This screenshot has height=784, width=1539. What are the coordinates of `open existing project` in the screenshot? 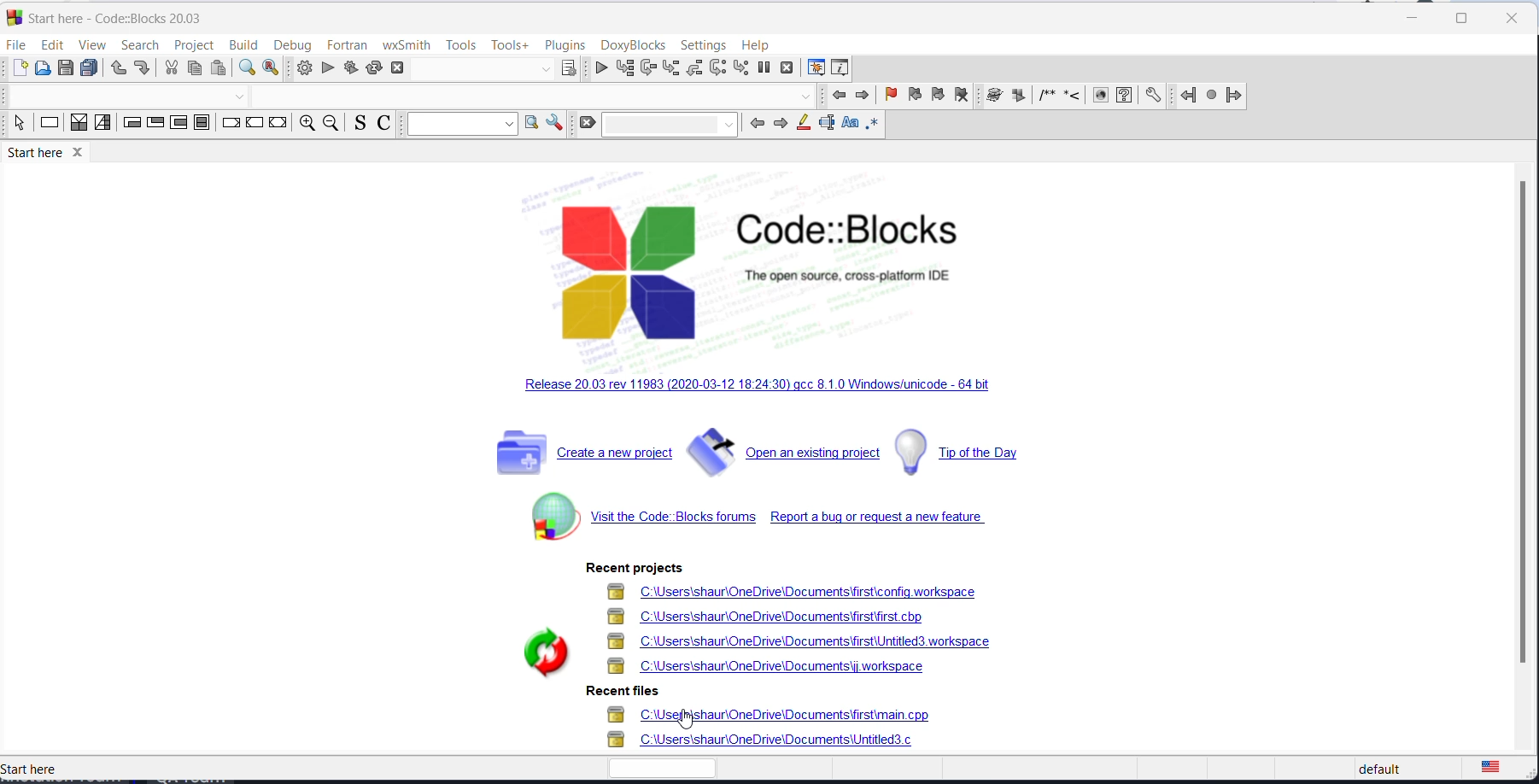 It's located at (783, 453).